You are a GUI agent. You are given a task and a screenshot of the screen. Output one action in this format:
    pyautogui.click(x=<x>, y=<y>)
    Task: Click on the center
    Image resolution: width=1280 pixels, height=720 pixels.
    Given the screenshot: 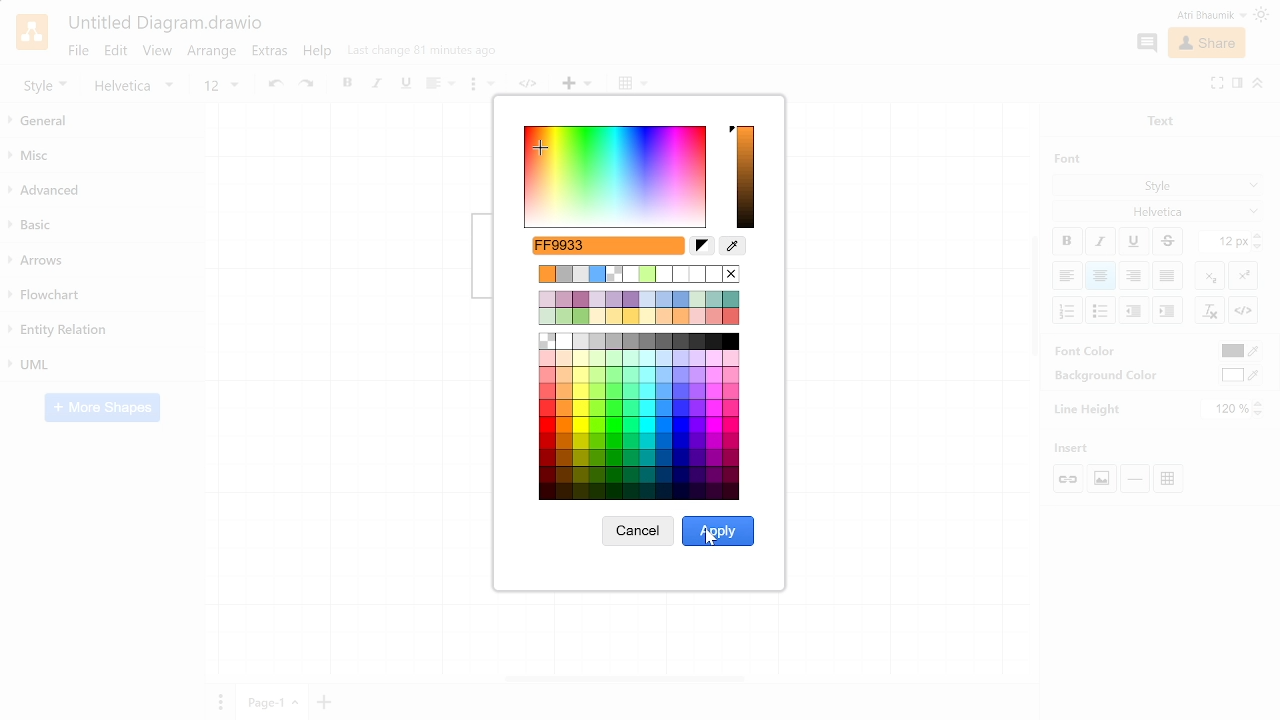 What is the action you would take?
    pyautogui.click(x=1101, y=276)
    